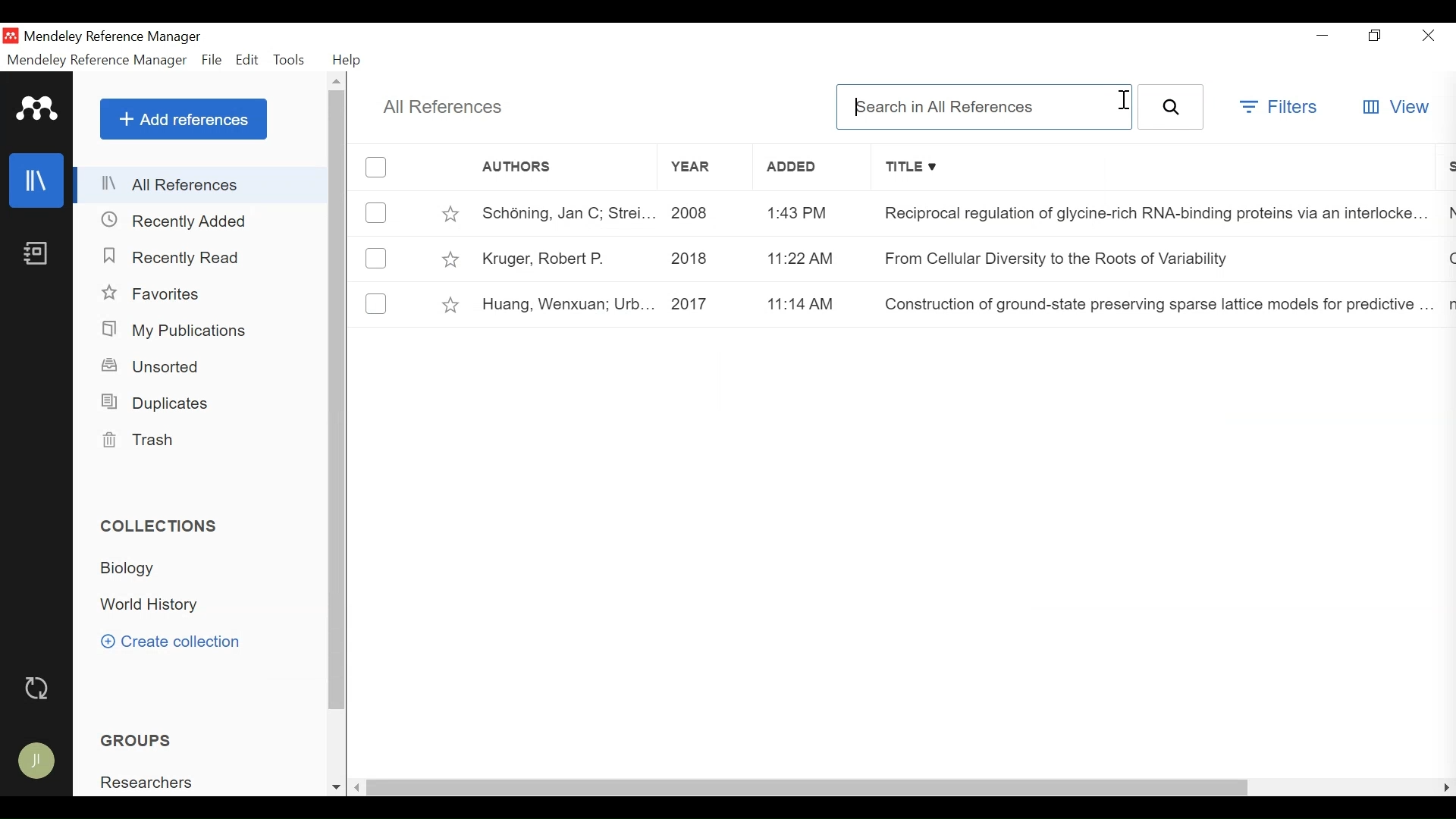 Image resolution: width=1456 pixels, height=819 pixels. What do you see at coordinates (162, 526) in the screenshot?
I see `Collection` at bounding box center [162, 526].